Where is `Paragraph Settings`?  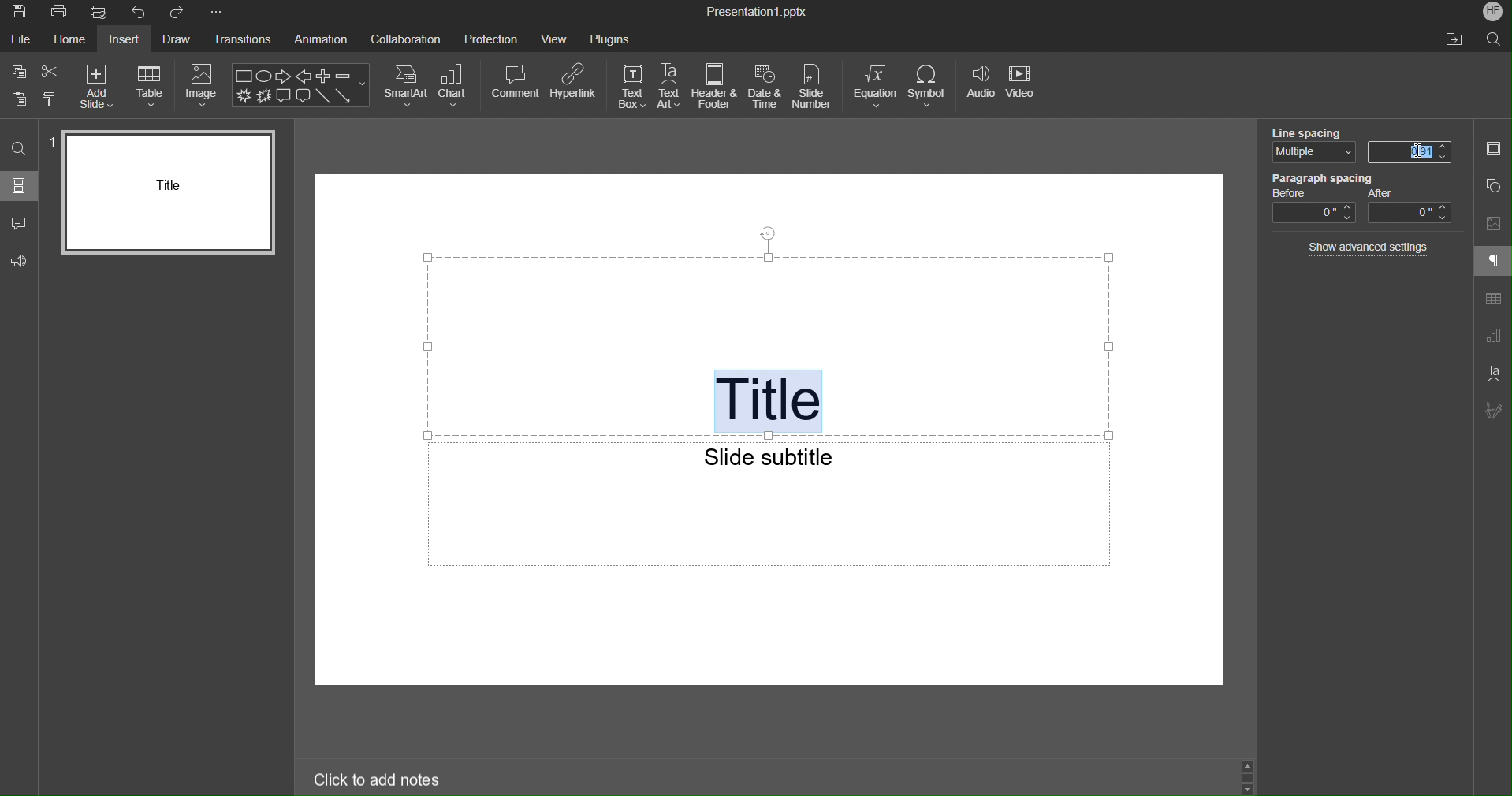
Paragraph Settings is located at coordinates (1494, 262).